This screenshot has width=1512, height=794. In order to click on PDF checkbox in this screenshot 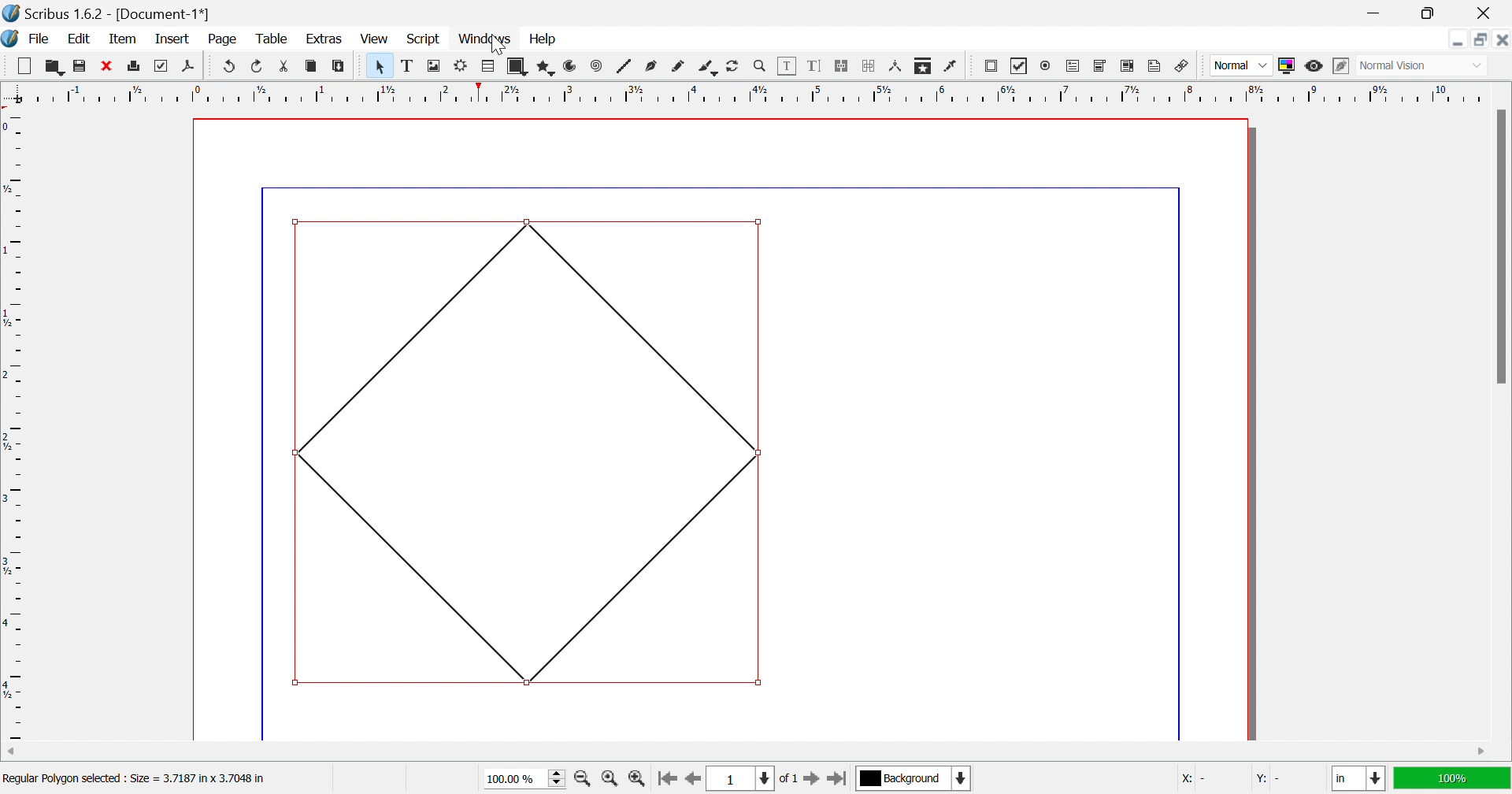, I will do `click(1019, 66)`.